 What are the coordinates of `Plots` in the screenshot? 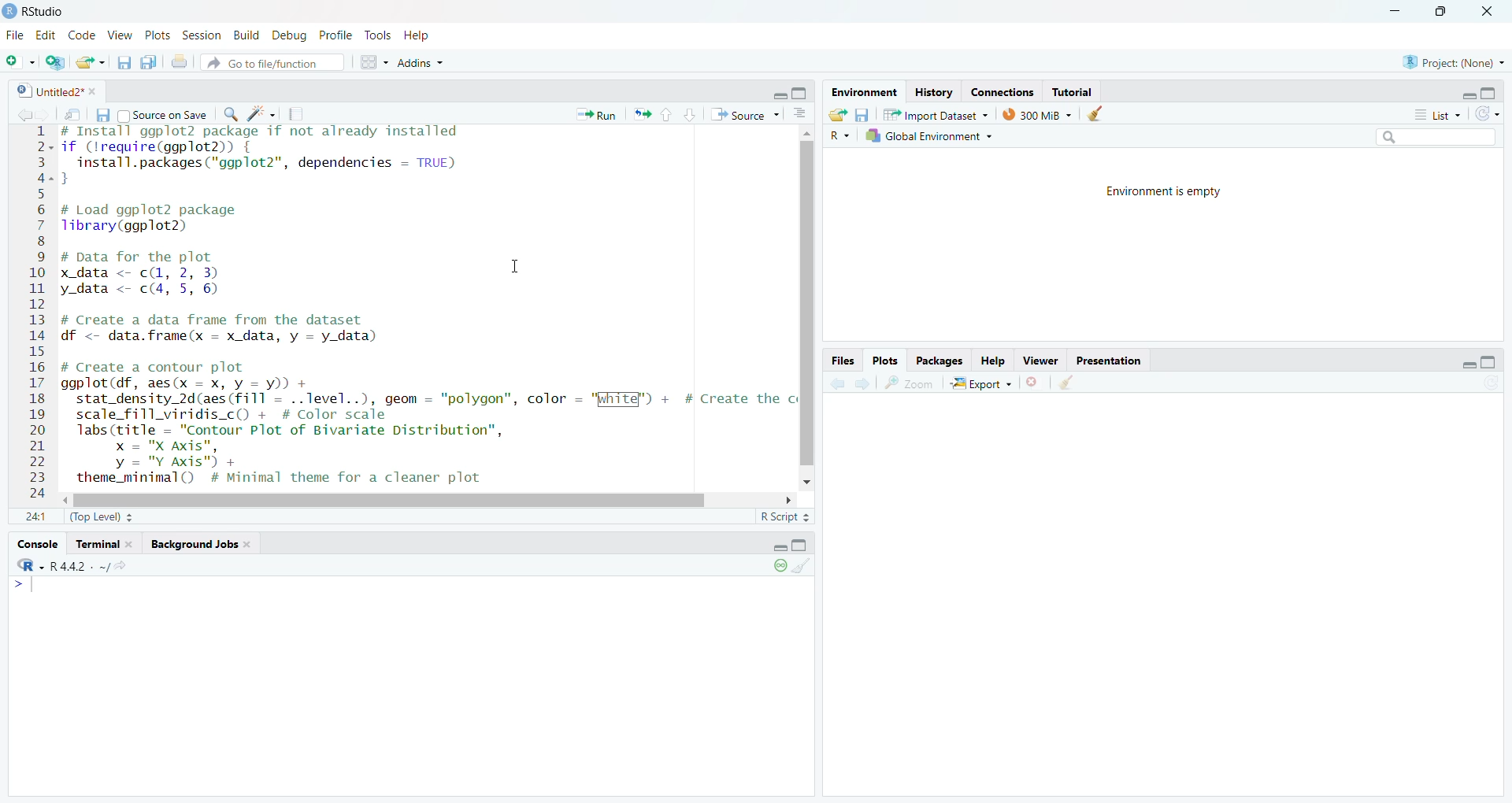 It's located at (883, 361).